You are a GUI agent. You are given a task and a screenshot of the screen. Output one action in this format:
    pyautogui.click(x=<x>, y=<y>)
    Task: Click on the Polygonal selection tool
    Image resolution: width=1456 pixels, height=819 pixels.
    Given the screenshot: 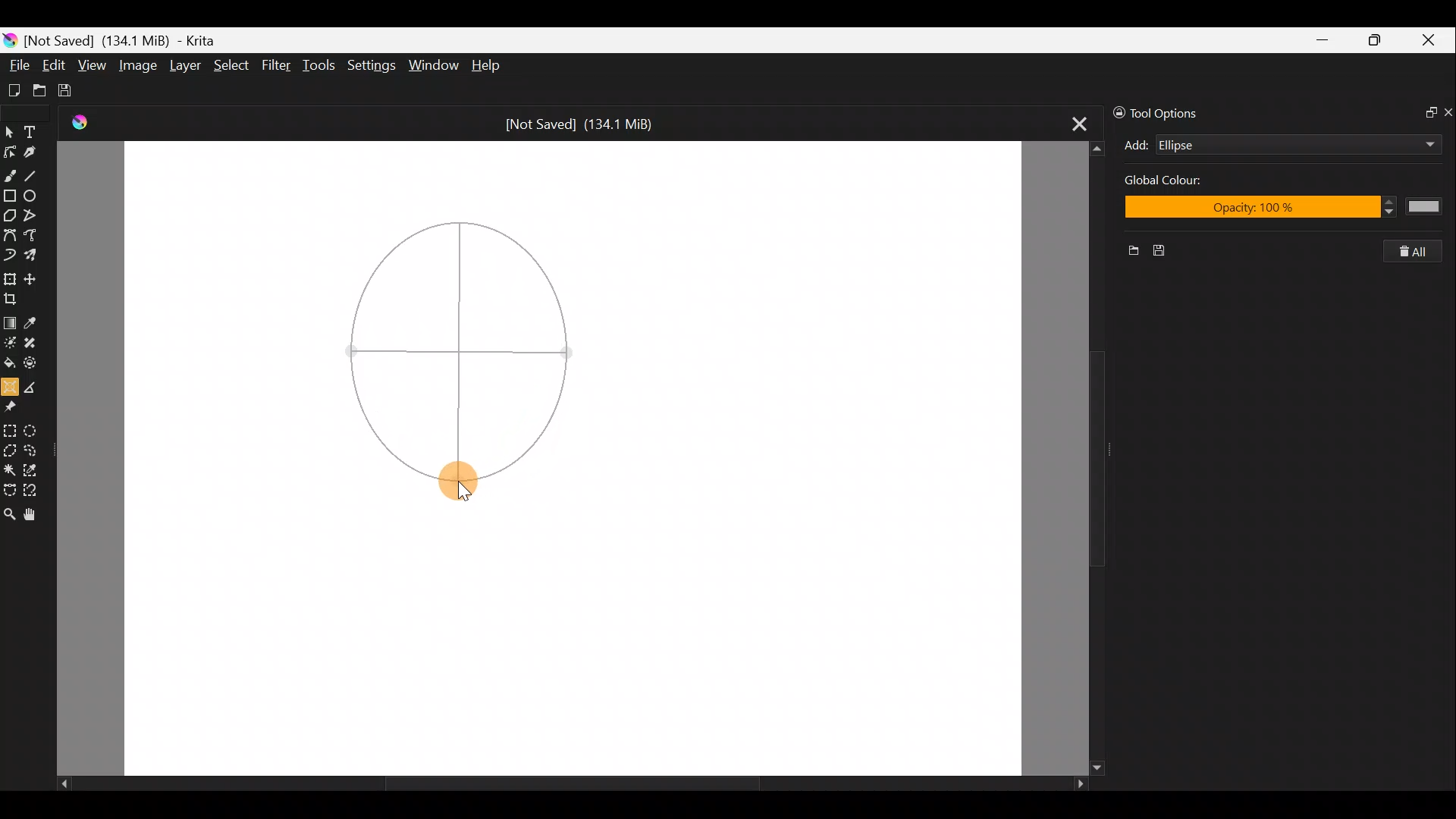 What is the action you would take?
    pyautogui.click(x=10, y=448)
    